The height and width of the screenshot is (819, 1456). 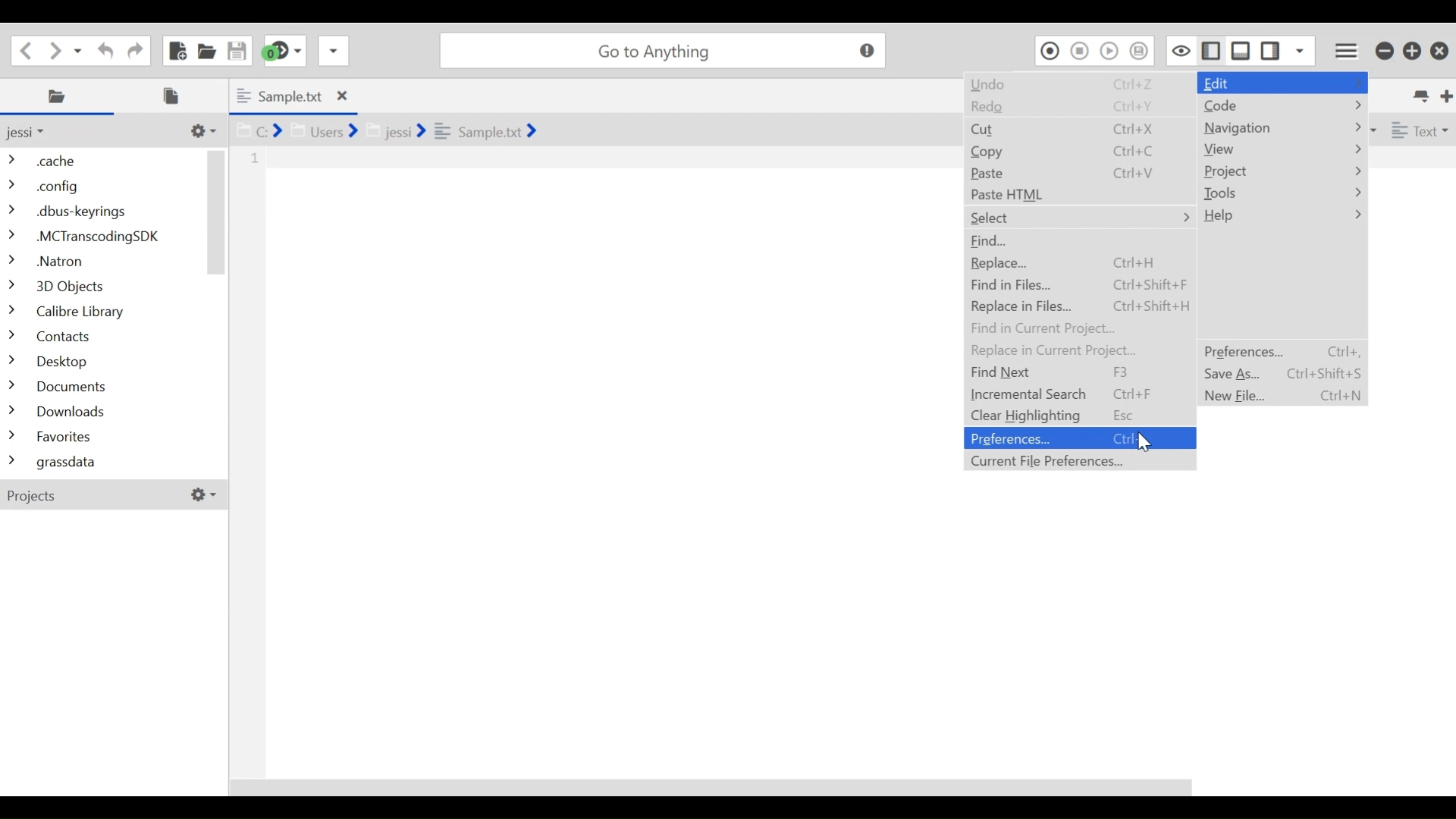 What do you see at coordinates (1078, 285) in the screenshot?
I see `Find in Files` at bounding box center [1078, 285].